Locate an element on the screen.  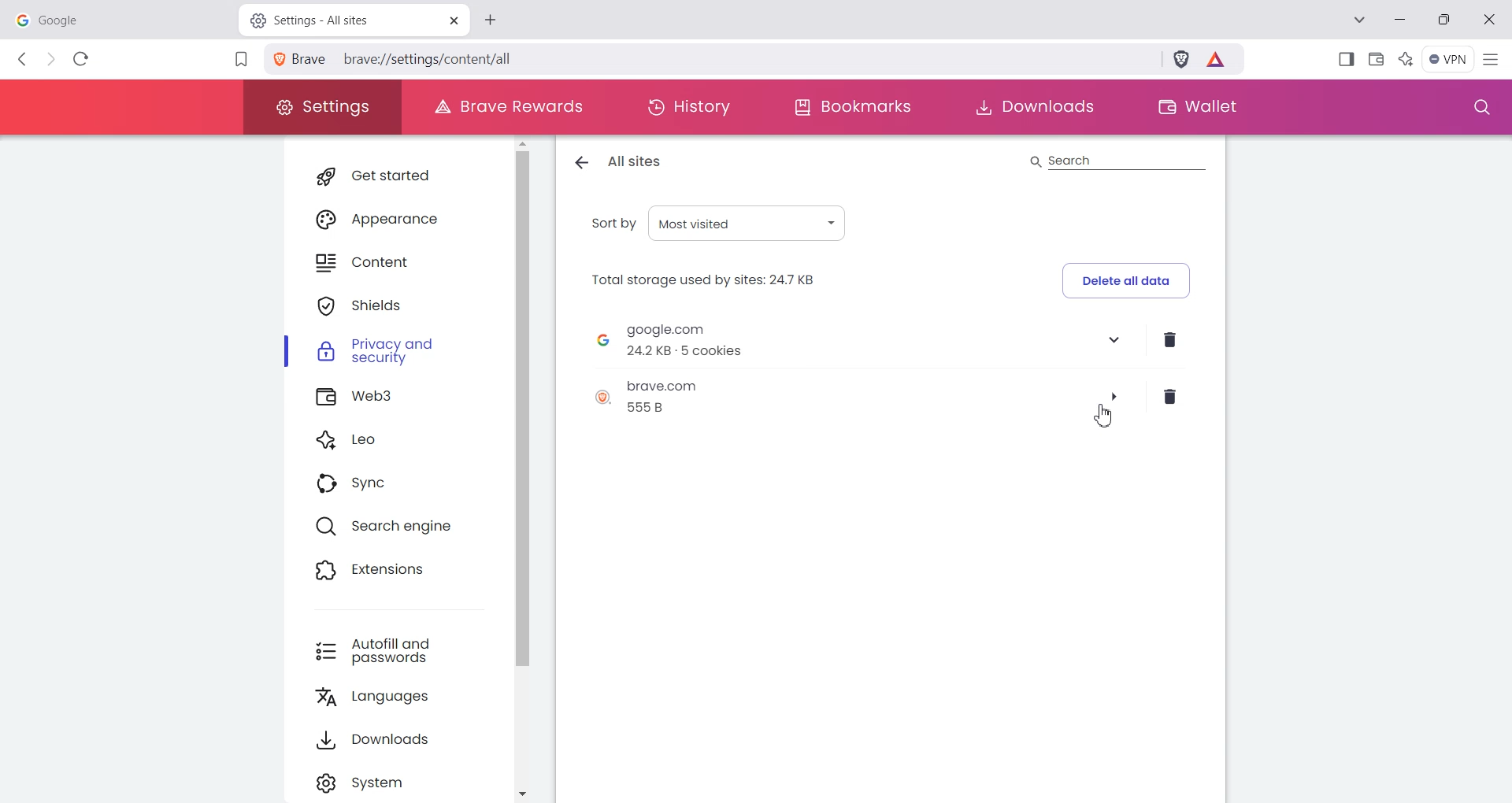
Google site is located at coordinates (858, 342).